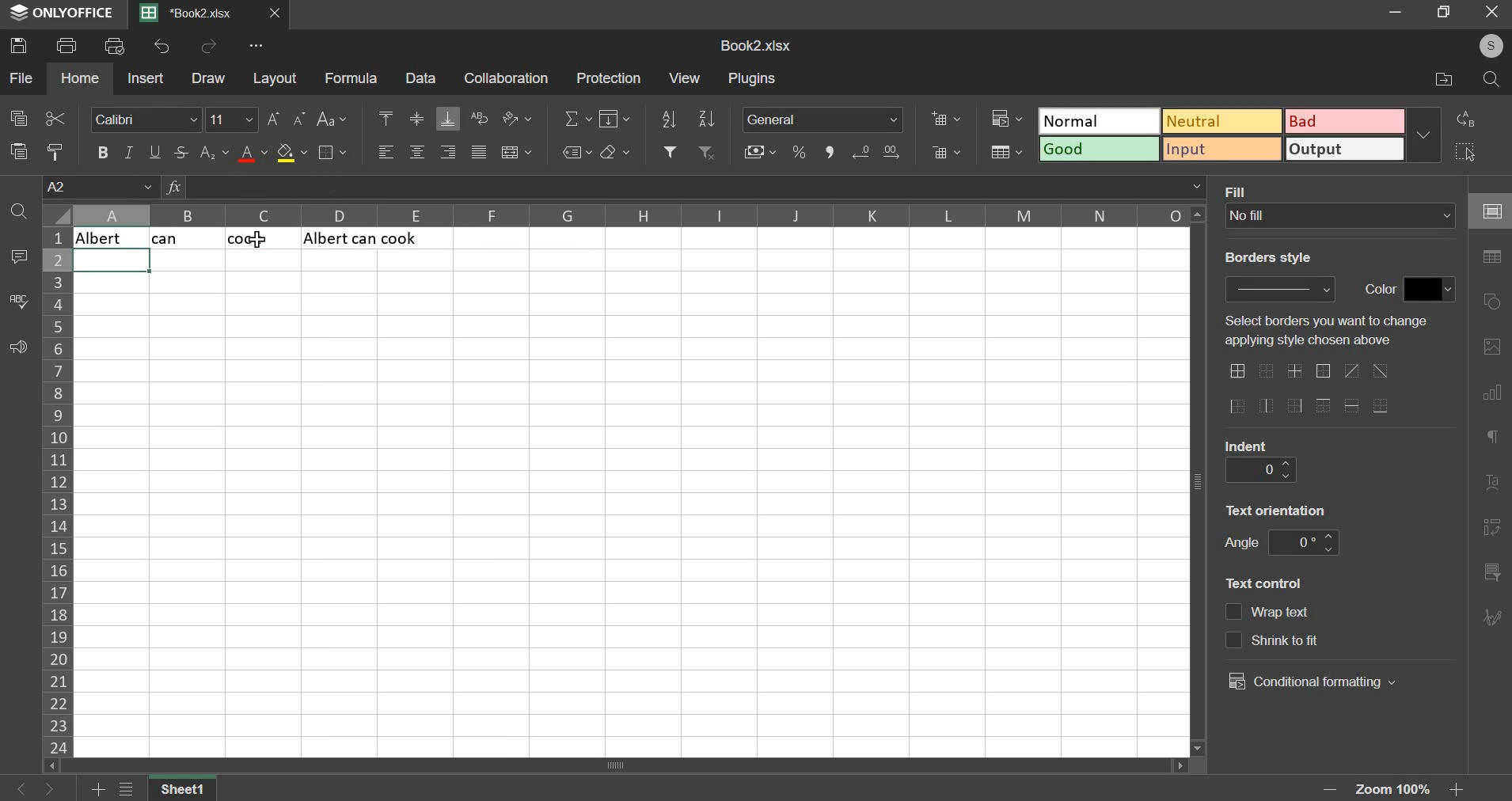 This screenshot has width=1512, height=801. Describe the element at coordinates (633, 216) in the screenshot. I see `columns` at that location.